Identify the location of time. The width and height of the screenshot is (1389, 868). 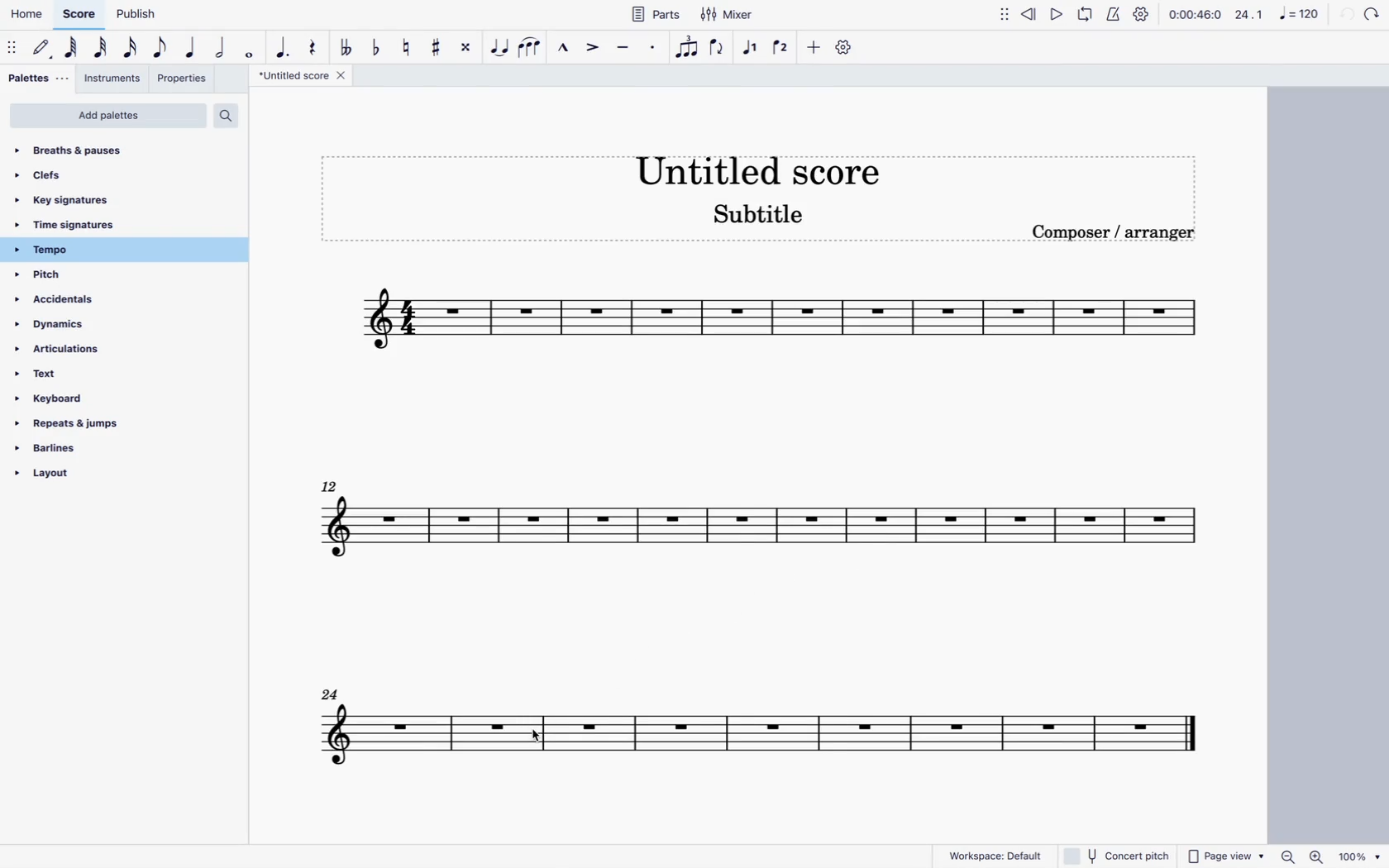
(1195, 15).